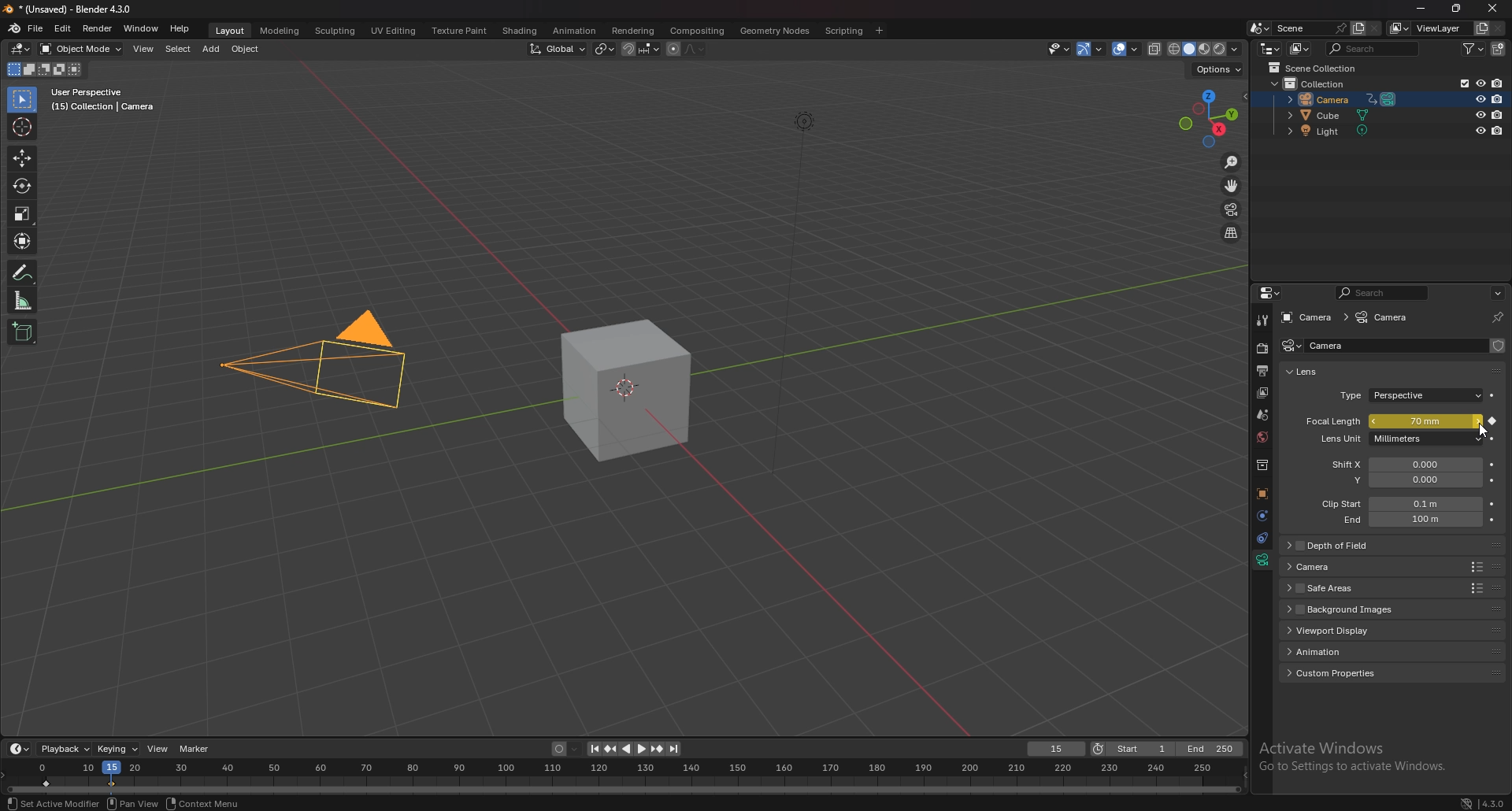 The width and height of the screenshot is (1512, 811). What do you see at coordinates (1269, 49) in the screenshot?
I see `editor type` at bounding box center [1269, 49].